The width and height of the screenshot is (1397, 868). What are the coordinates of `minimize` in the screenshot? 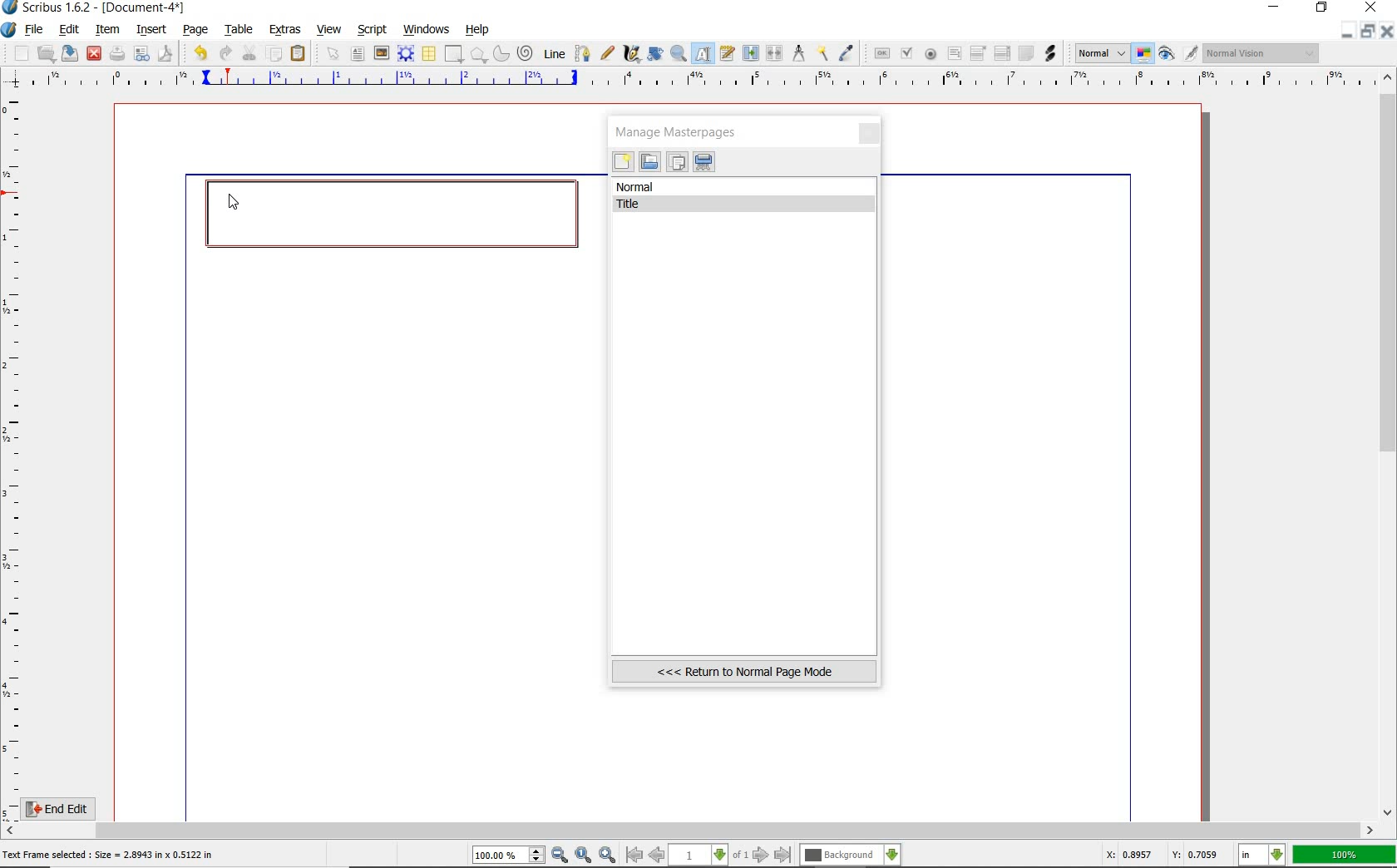 It's located at (1349, 31).